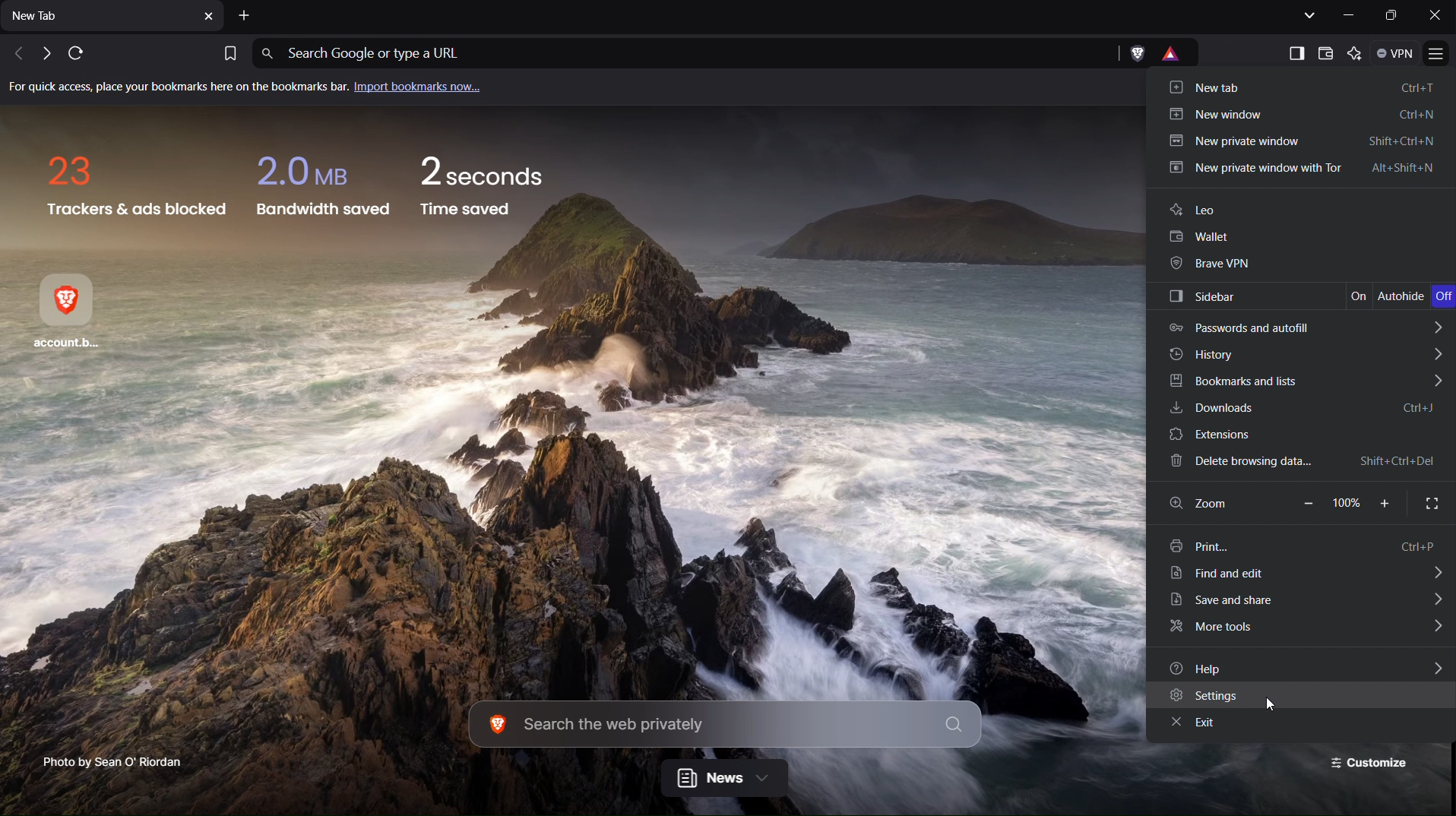 Image resolution: width=1456 pixels, height=816 pixels. Describe the element at coordinates (320, 185) in the screenshot. I see `Bandwidth saved` at that location.